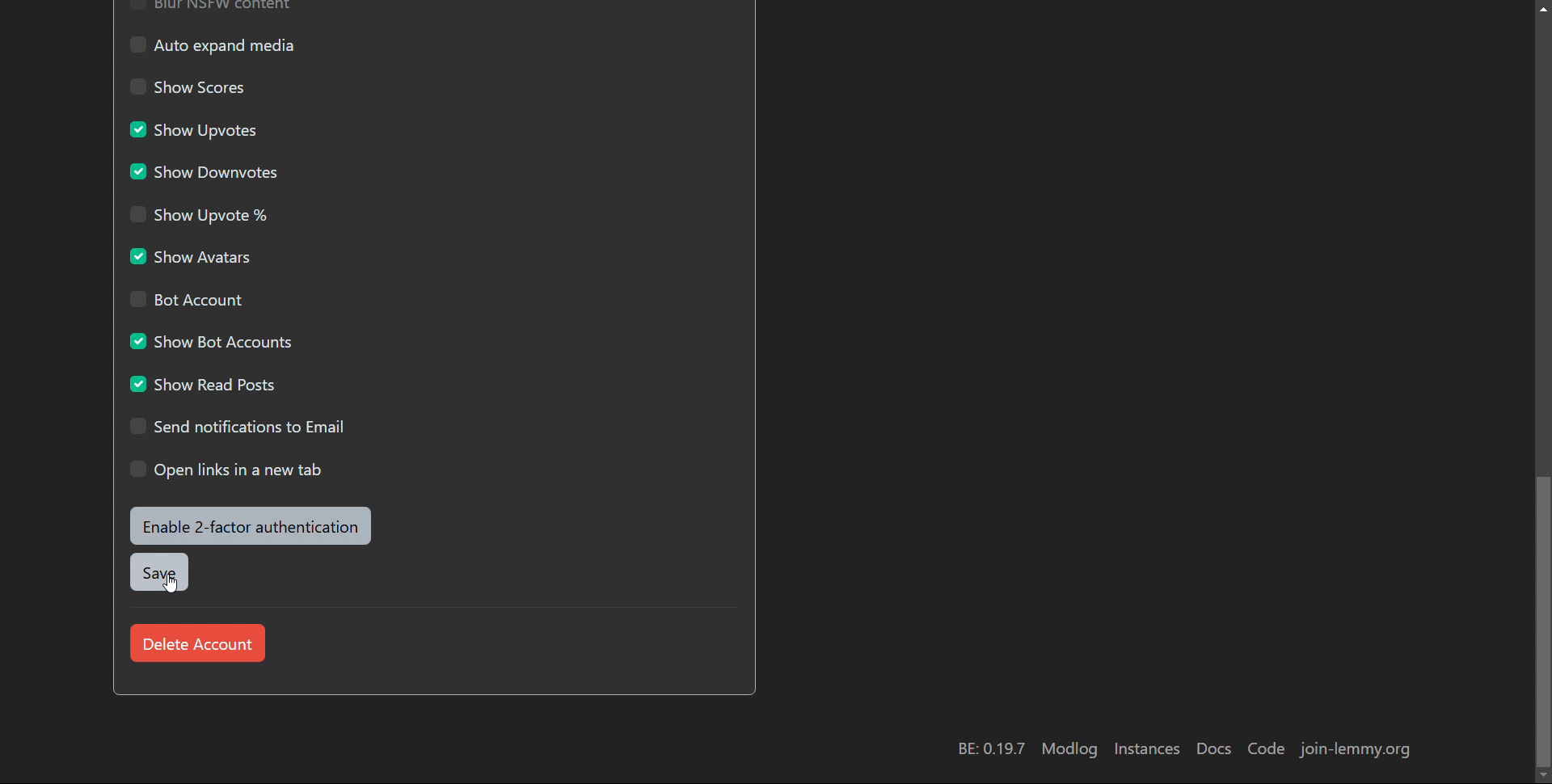  Describe the element at coordinates (226, 470) in the screenshot. I see `open links in a new tab` at that location.